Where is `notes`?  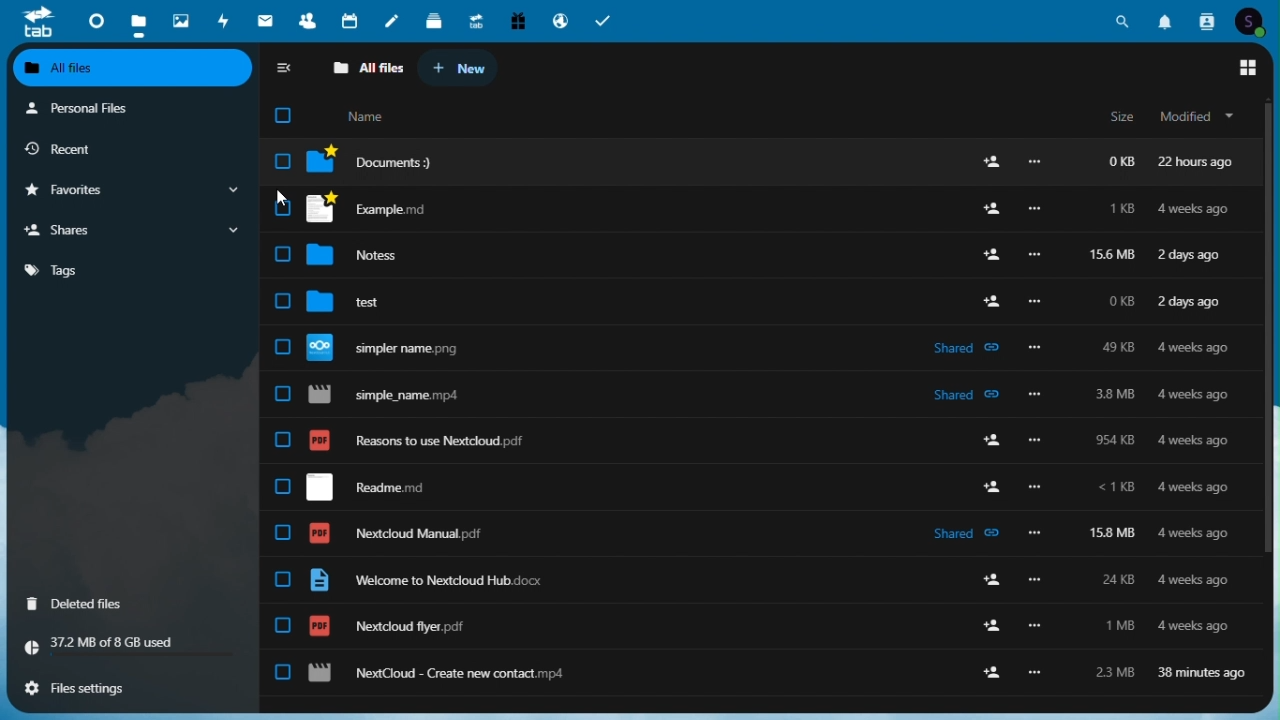 notes is located at coordinates (394, 20).